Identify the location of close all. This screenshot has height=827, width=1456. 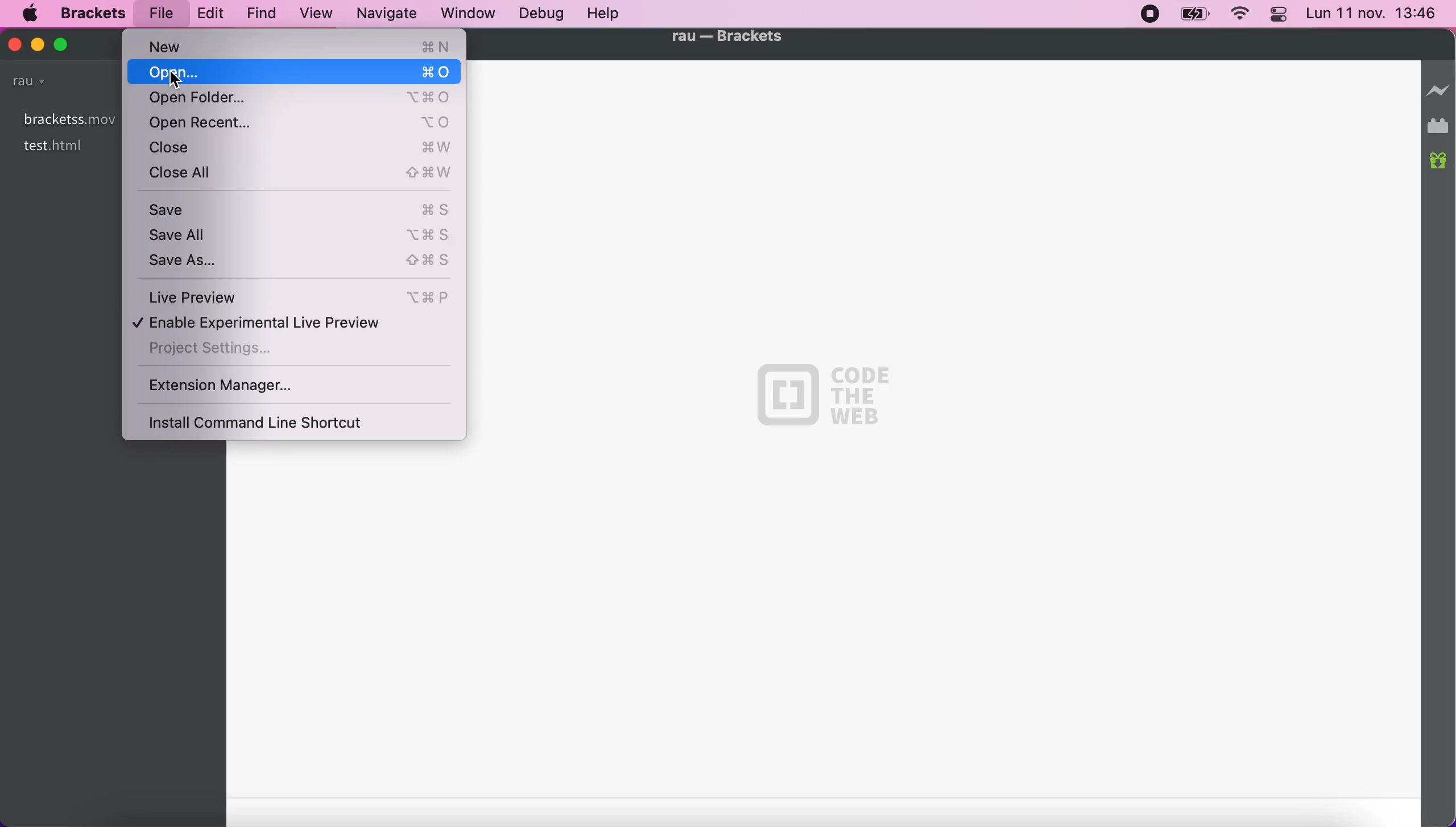
(297, 174).